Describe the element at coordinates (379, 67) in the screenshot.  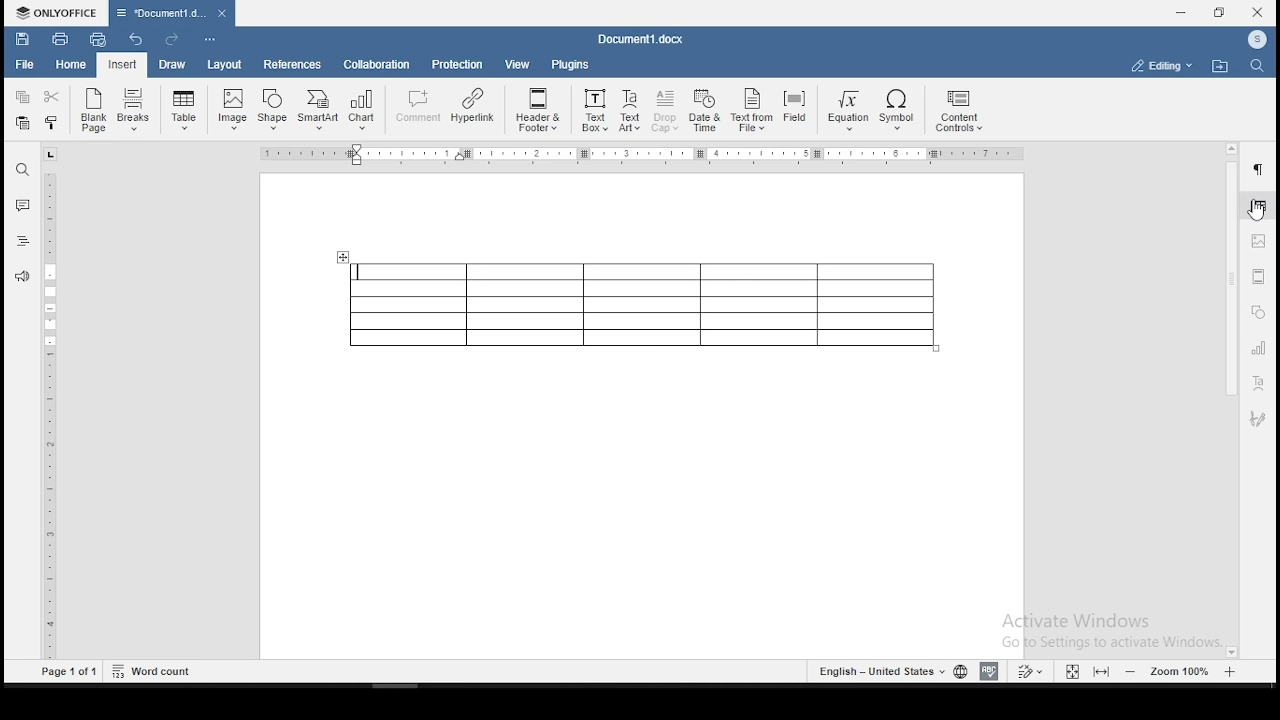
I see `collaboration` at that location.